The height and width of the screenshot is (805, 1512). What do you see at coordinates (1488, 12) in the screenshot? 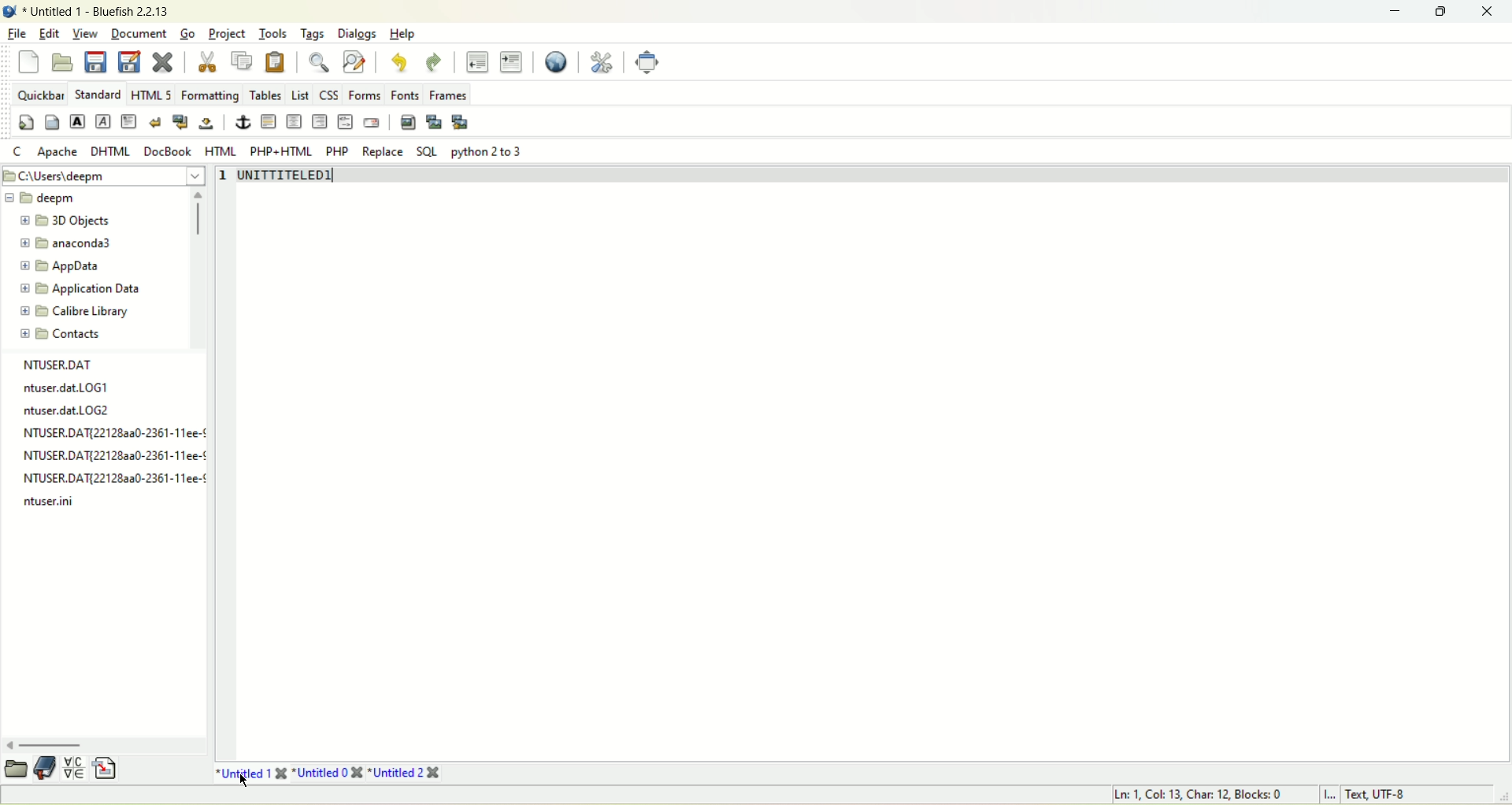
I see `close` at bounding box center [1488, 12].